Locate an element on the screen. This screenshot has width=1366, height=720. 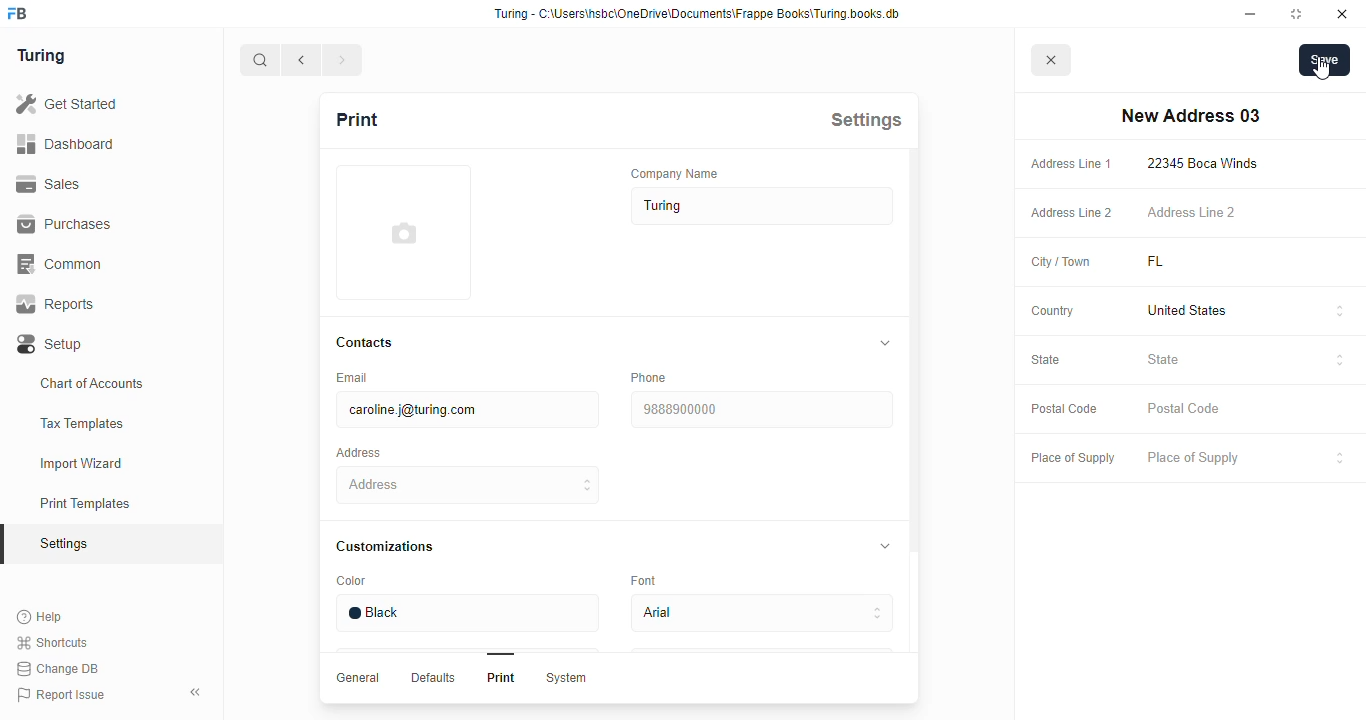
place of supply is located at coordinates (1072, 459).